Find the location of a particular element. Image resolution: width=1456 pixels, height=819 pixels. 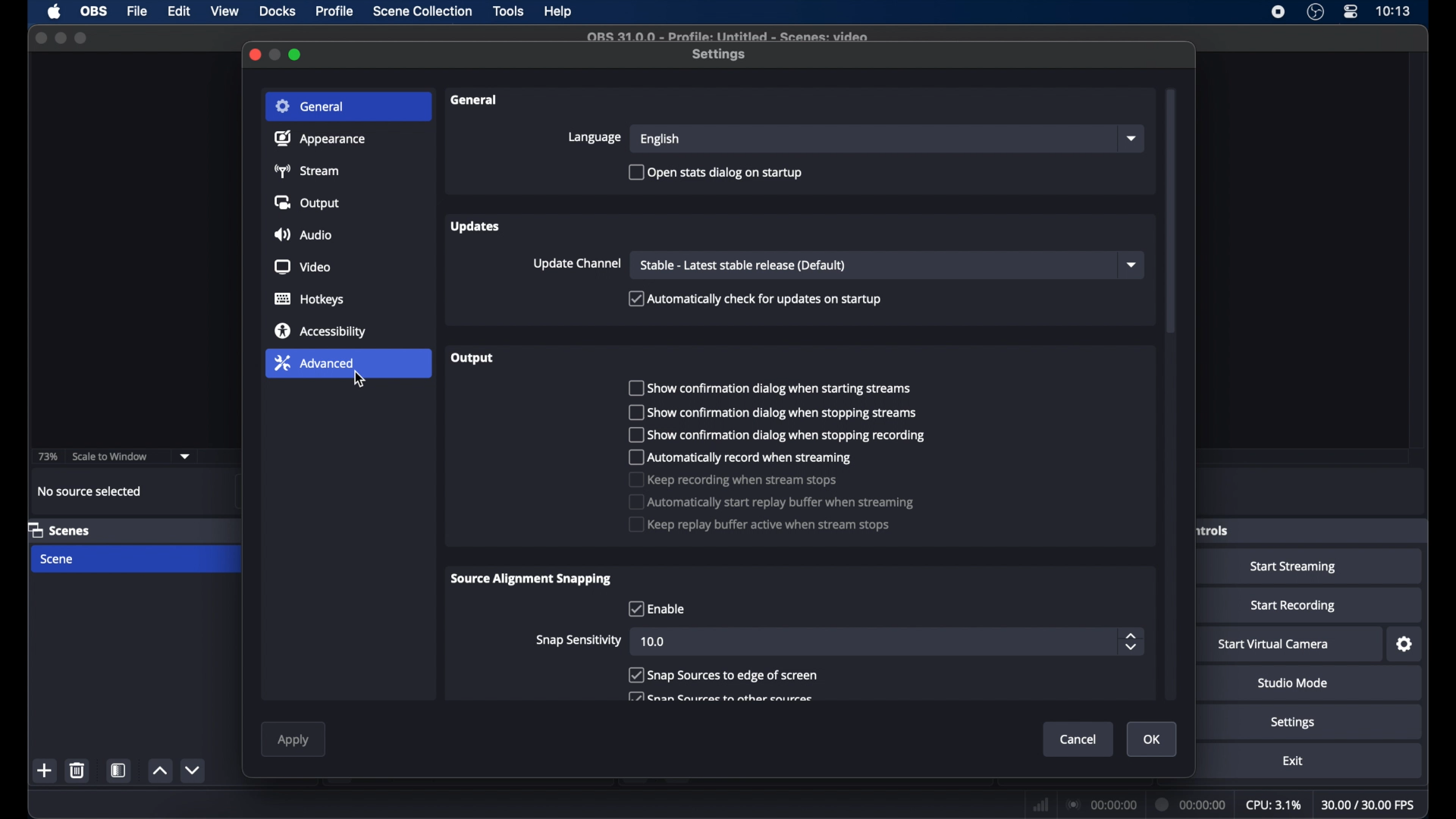

scene collection is located at coordinates (424, 11).